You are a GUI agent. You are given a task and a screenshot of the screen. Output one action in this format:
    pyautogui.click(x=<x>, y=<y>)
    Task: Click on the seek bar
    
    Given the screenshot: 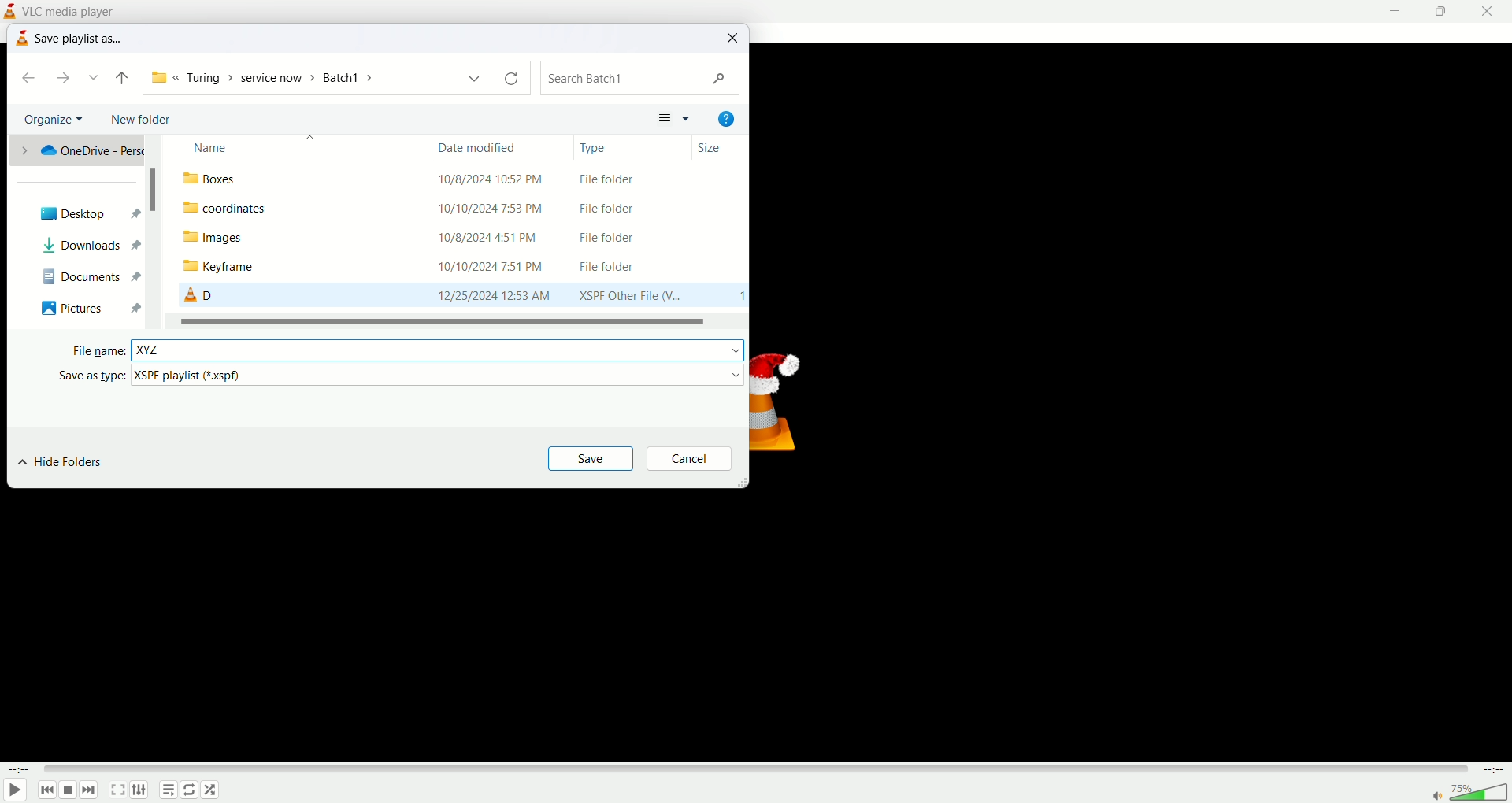 What is the action you would take?
    pyautogui.click(x=756, y=768)
    